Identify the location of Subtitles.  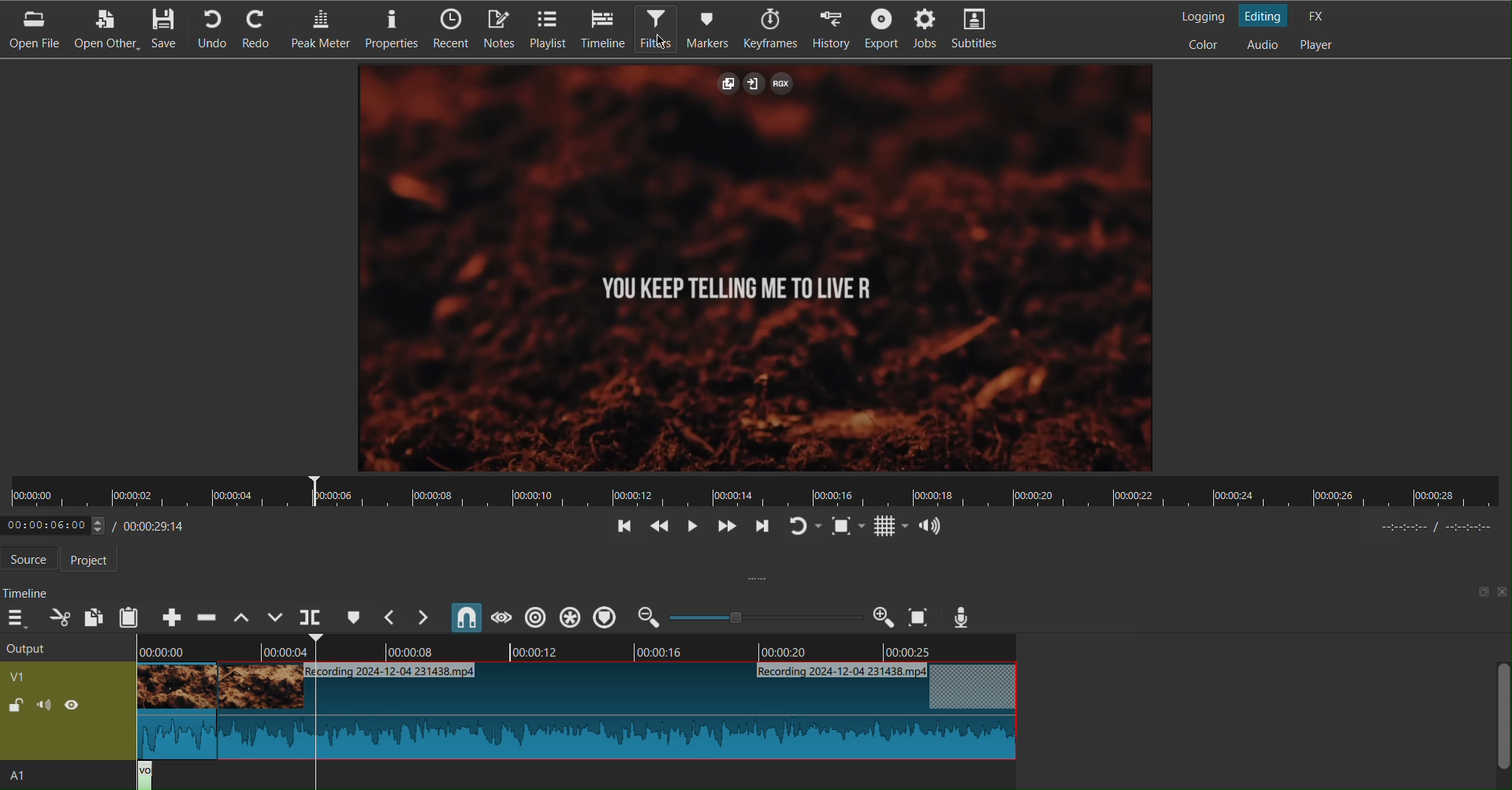
(981, 30).